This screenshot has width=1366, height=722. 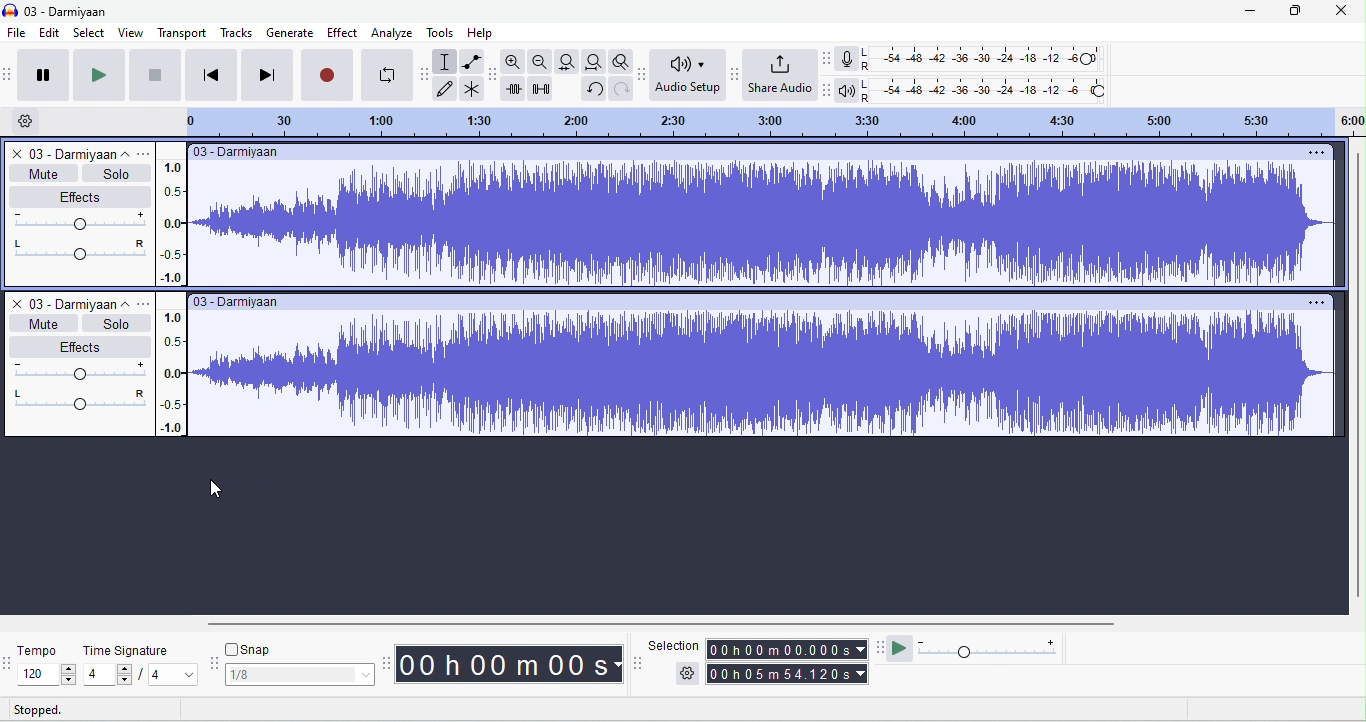 I want to click on horizontal scroll bar, so click(x=655, y=624).